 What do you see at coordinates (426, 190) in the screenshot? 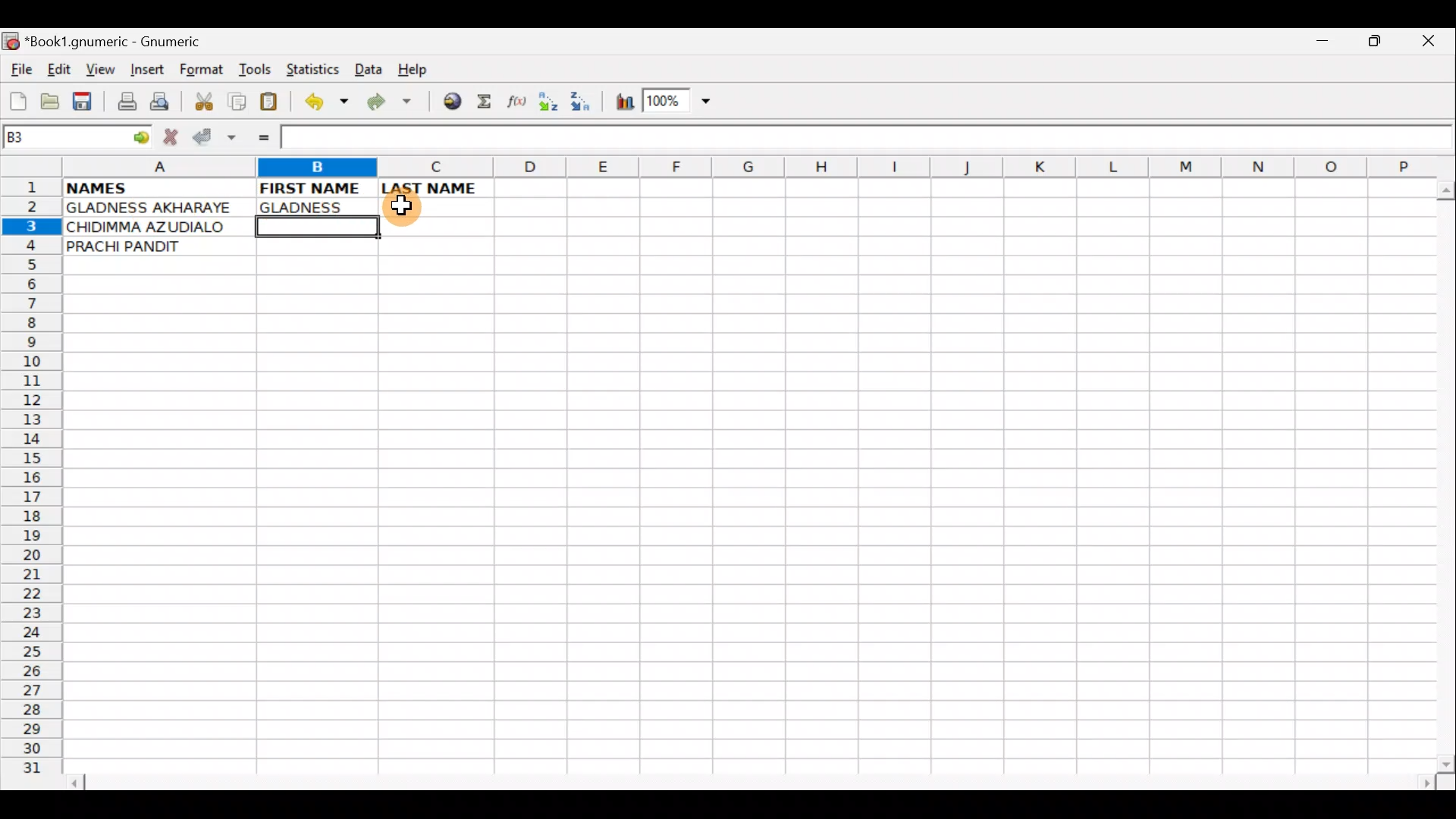
I see `LAST NAME` at bounding box center [426, 190].